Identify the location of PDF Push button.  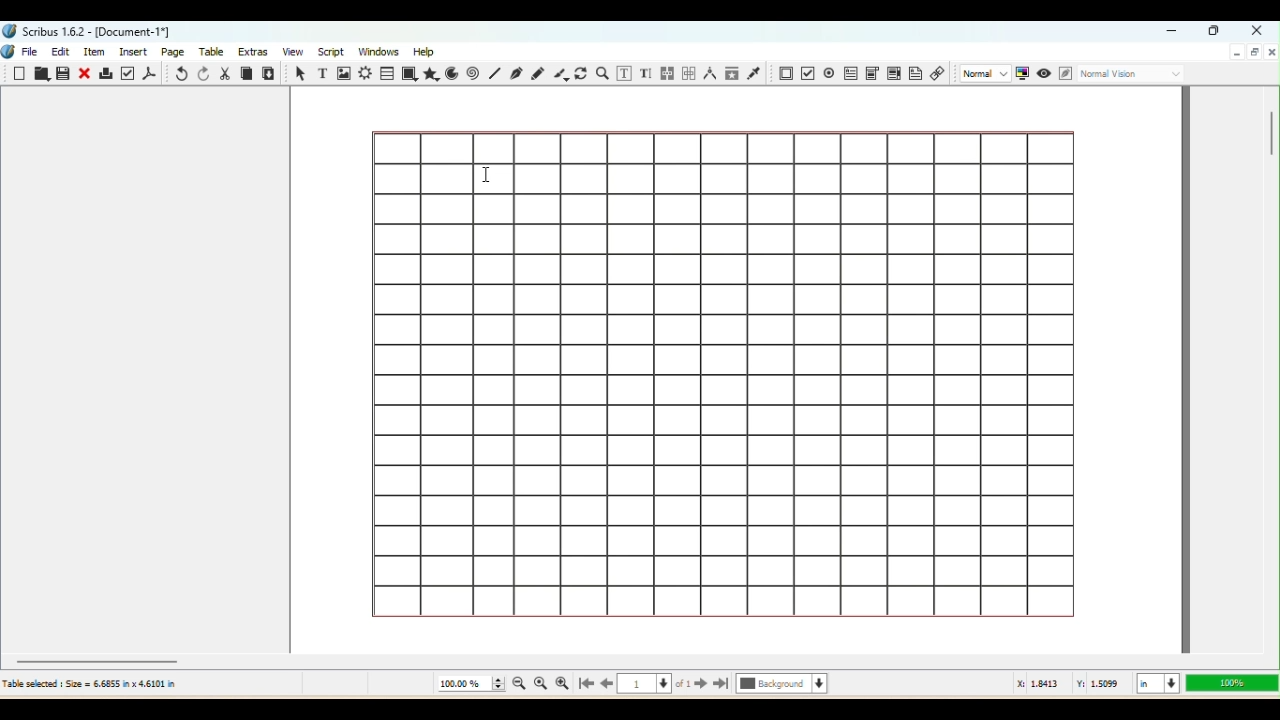
(784, 73).